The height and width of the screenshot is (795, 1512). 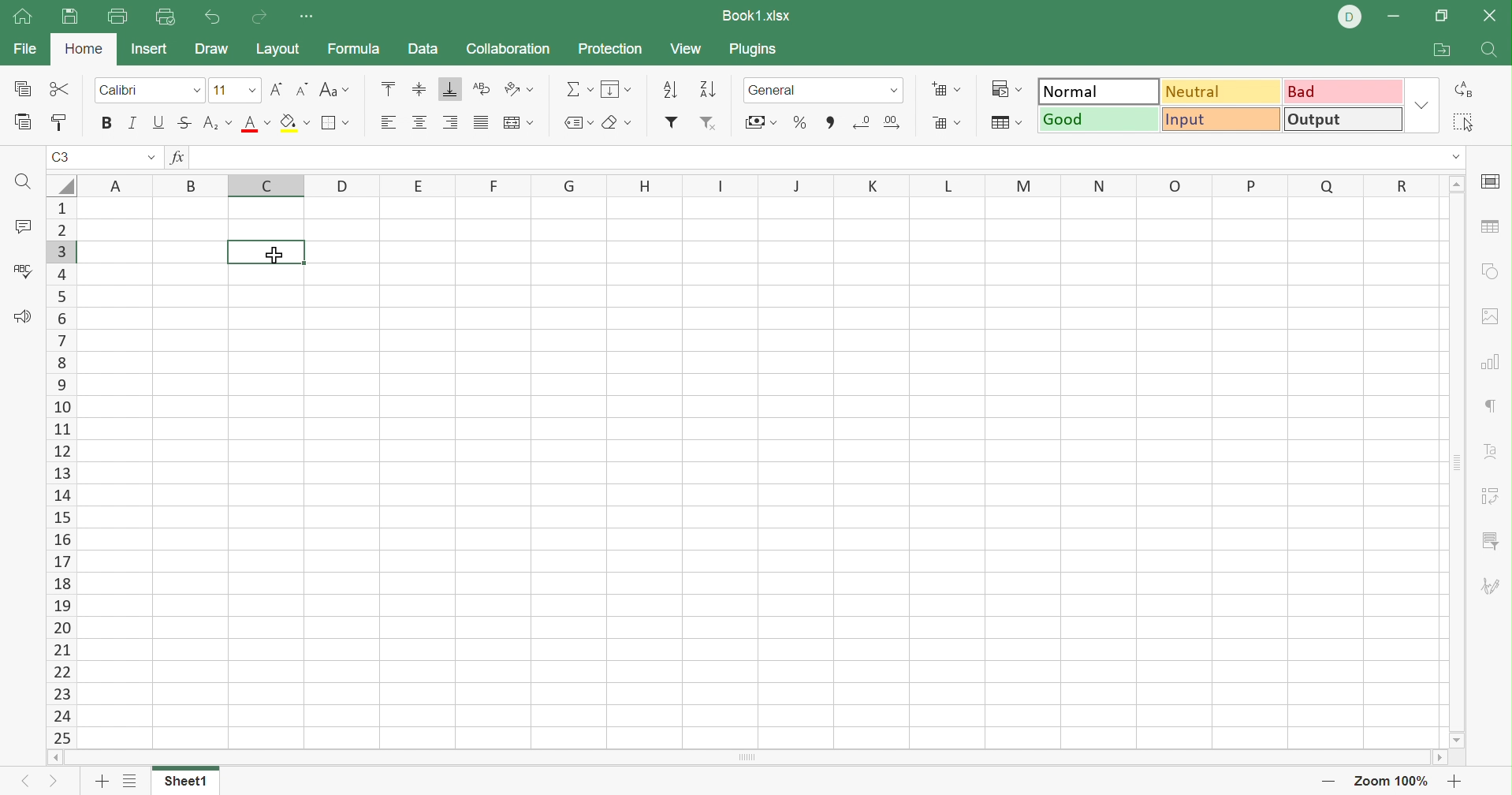 I want to click on Redo, so click(x=259, y=19).